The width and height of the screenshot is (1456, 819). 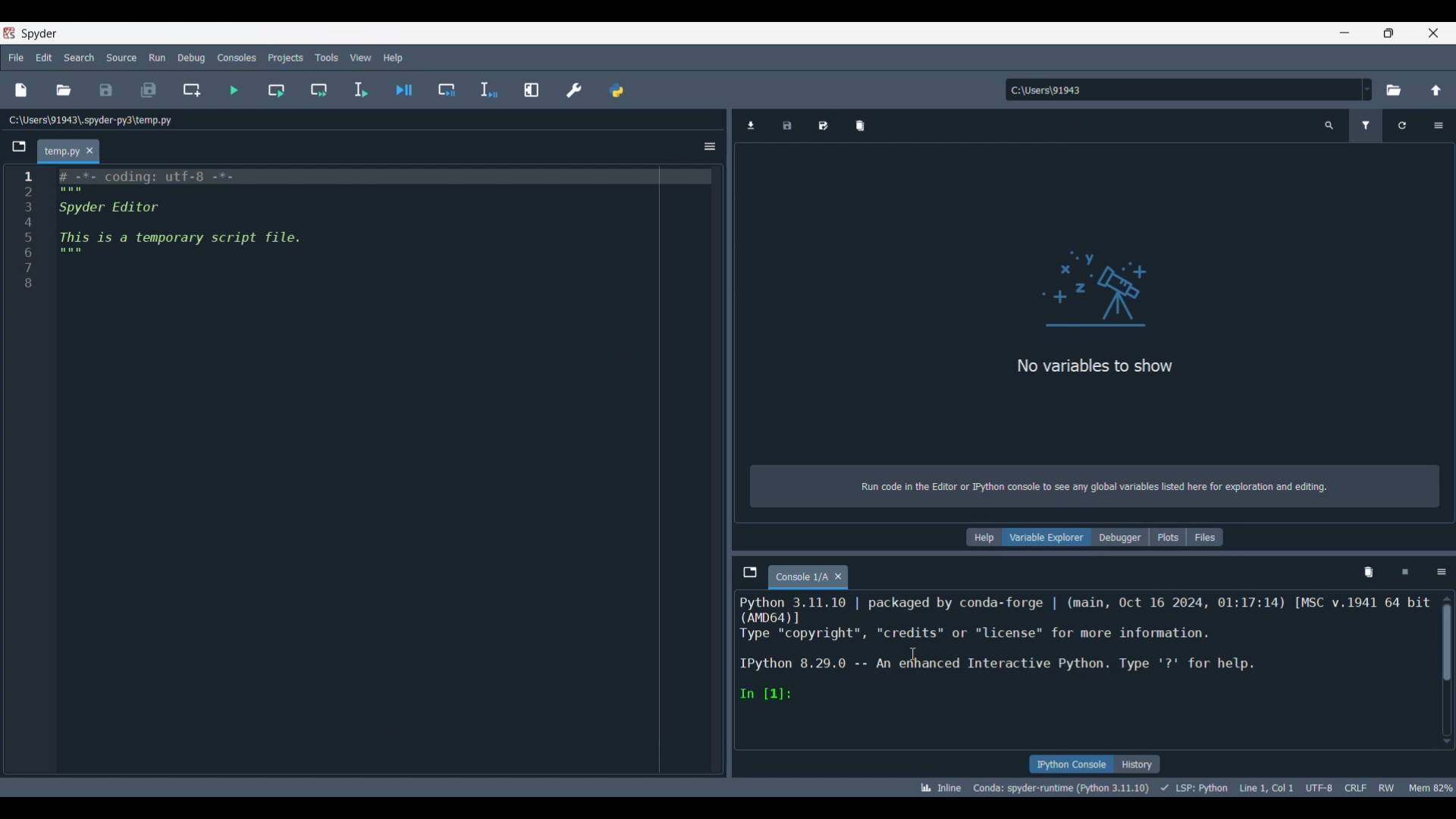 I want to click on Code details, so click(x=1186, y=788).